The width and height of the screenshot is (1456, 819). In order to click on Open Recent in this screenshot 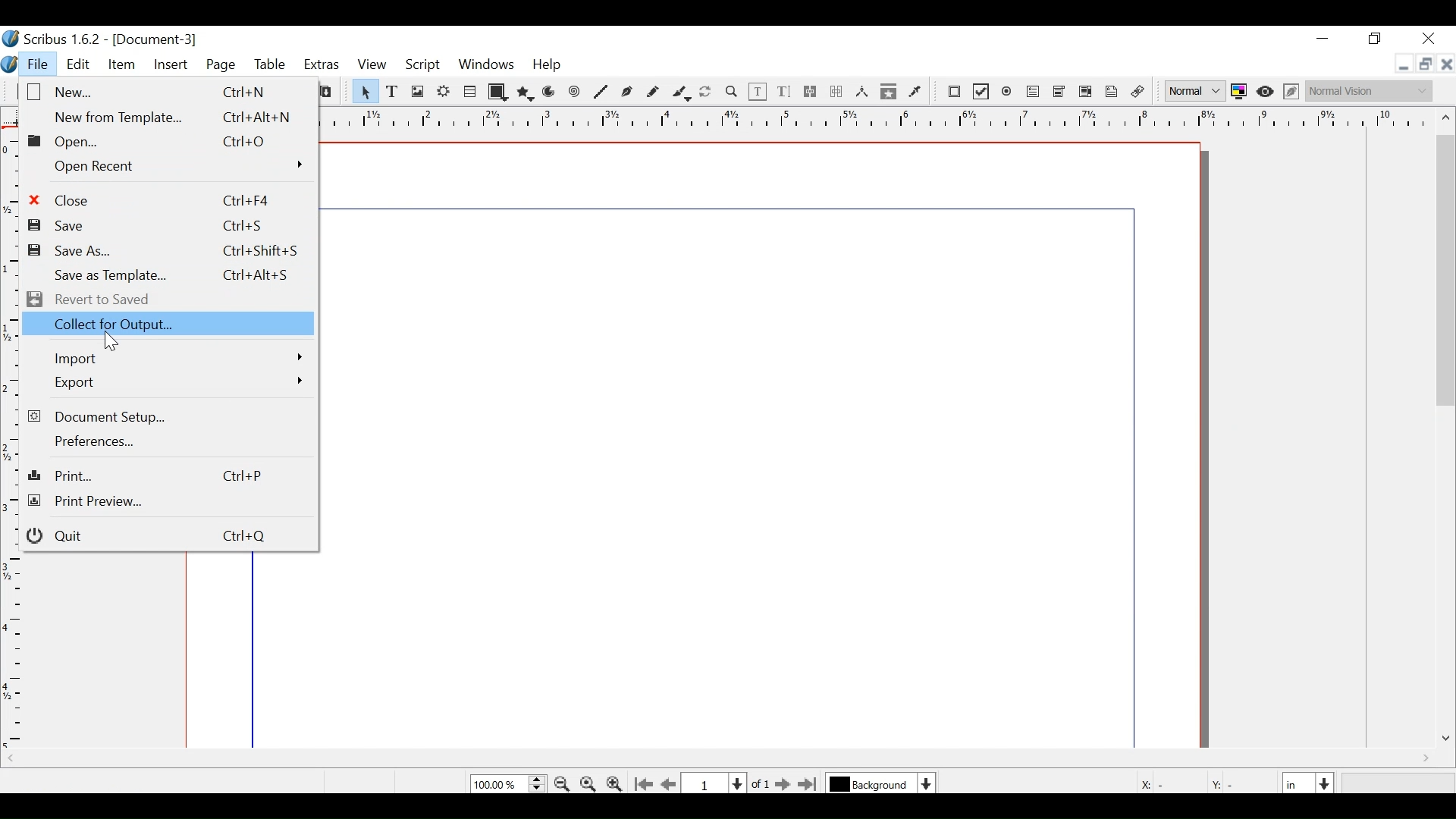, I will do `click(178, 166)`.